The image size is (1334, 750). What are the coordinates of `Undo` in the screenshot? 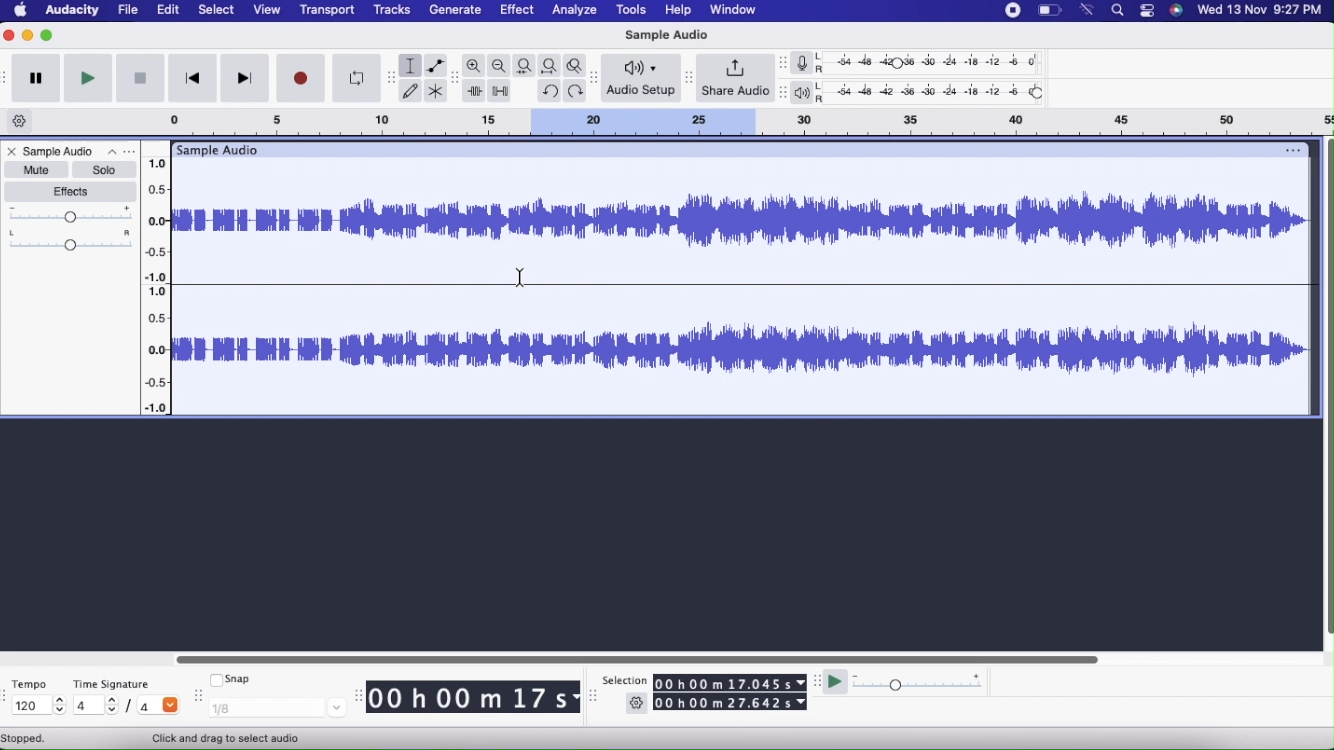 It's located at (549, 89).